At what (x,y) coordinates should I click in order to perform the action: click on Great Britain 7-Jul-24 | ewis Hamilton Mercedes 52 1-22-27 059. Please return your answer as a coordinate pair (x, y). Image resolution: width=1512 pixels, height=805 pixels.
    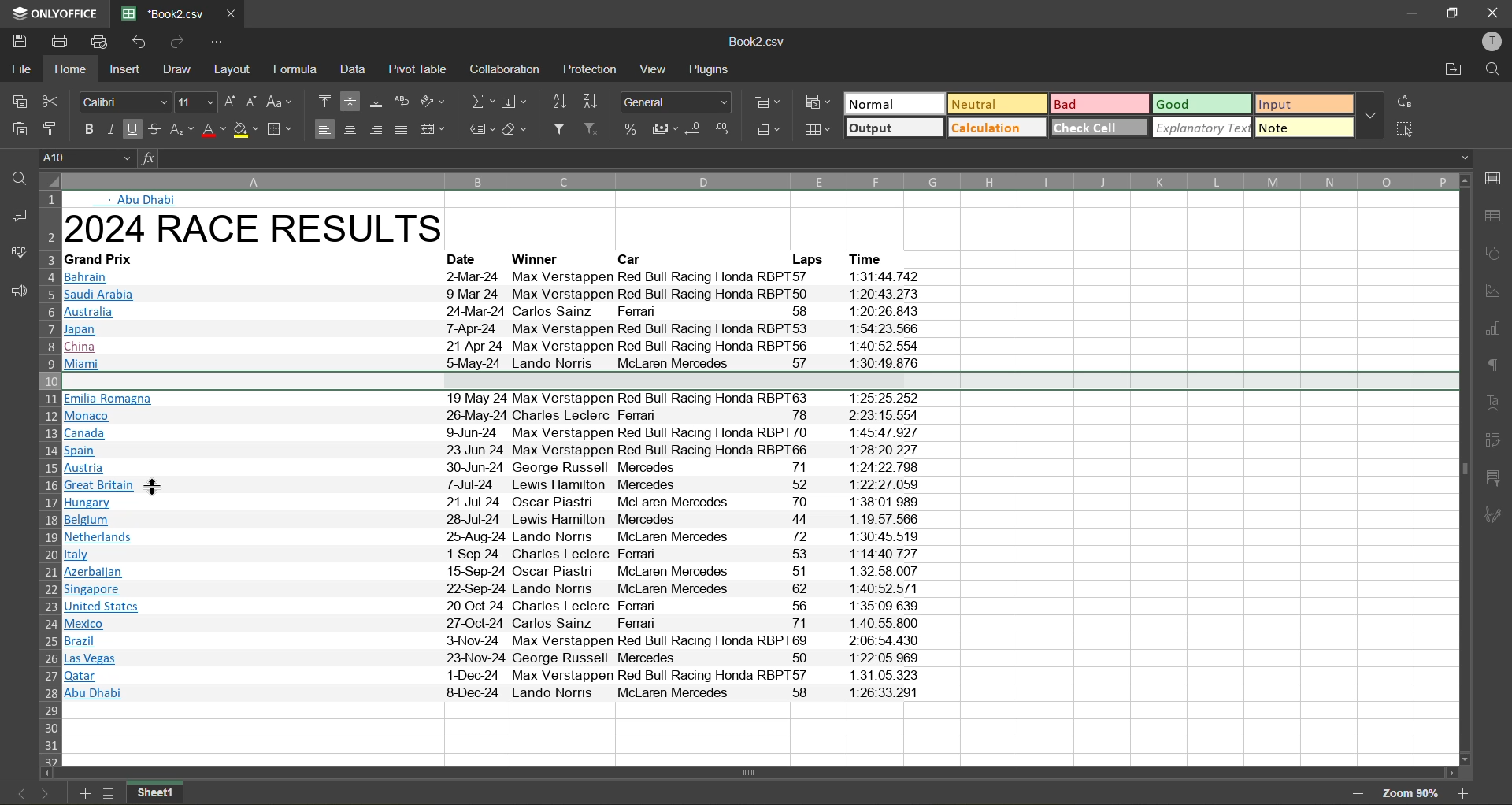
    Looking at the image, I should click on (493, 486).